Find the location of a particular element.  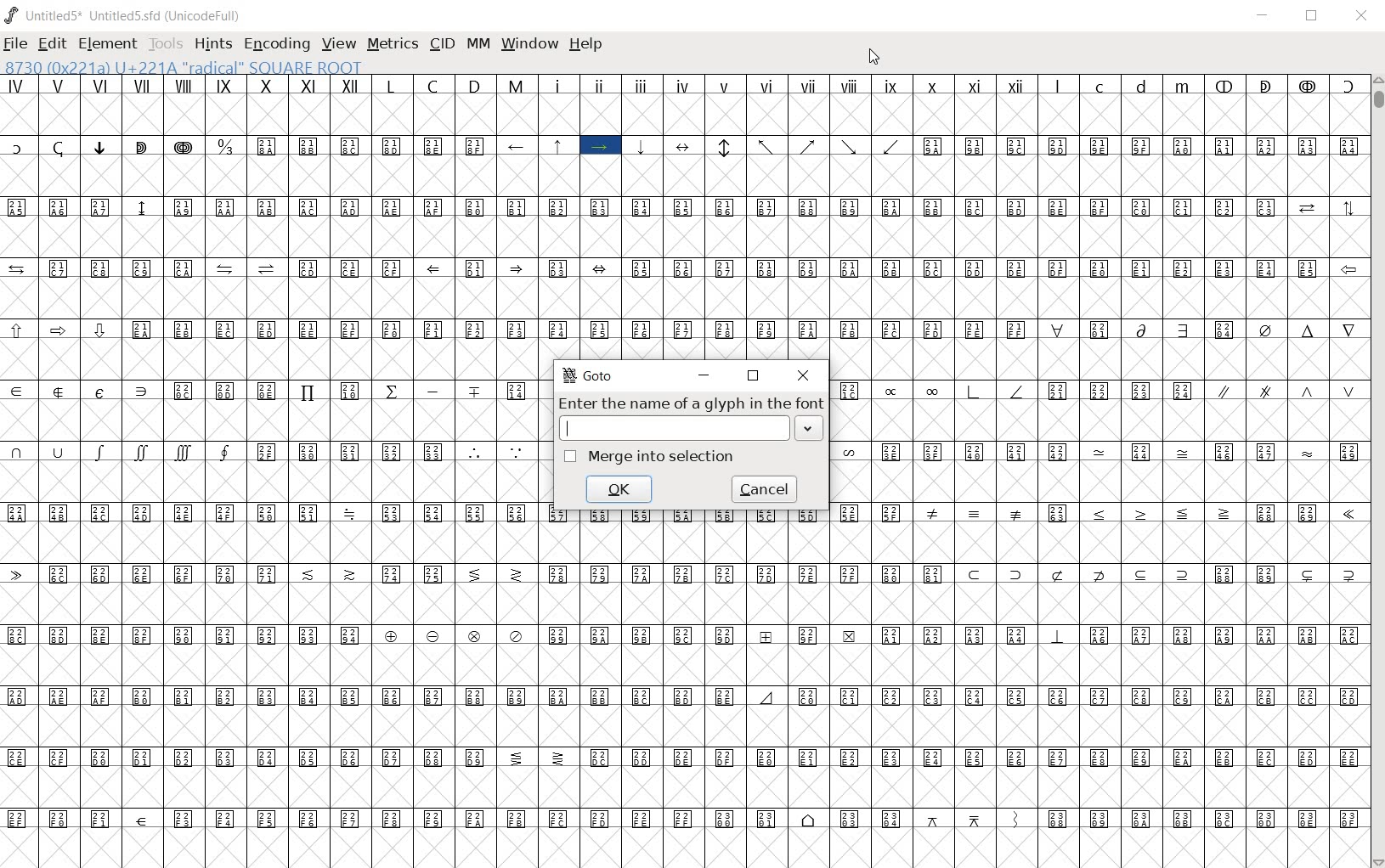

glyph characters is located at coordinates (1099, 438).